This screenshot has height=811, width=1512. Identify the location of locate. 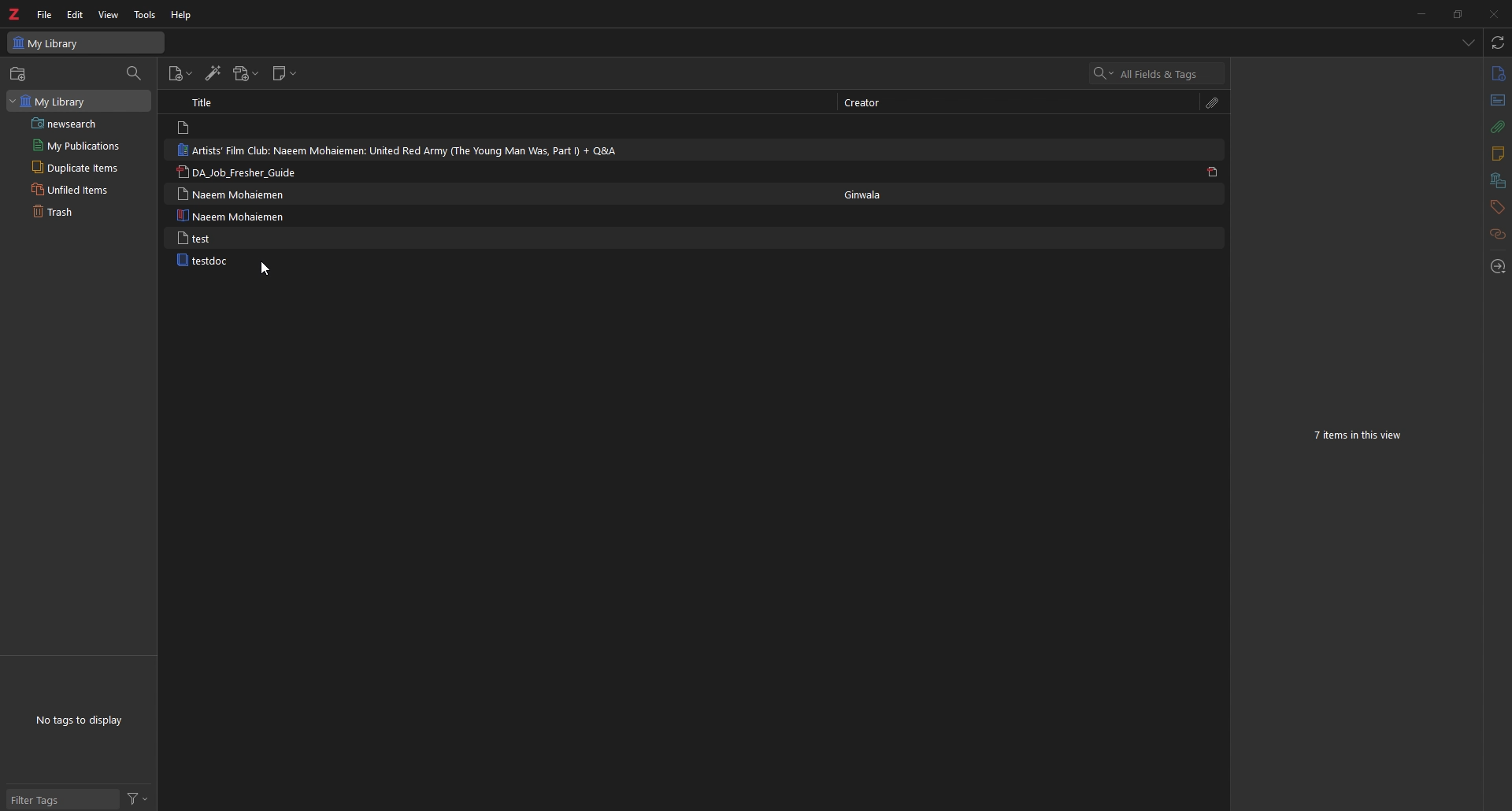
(1497, 267).